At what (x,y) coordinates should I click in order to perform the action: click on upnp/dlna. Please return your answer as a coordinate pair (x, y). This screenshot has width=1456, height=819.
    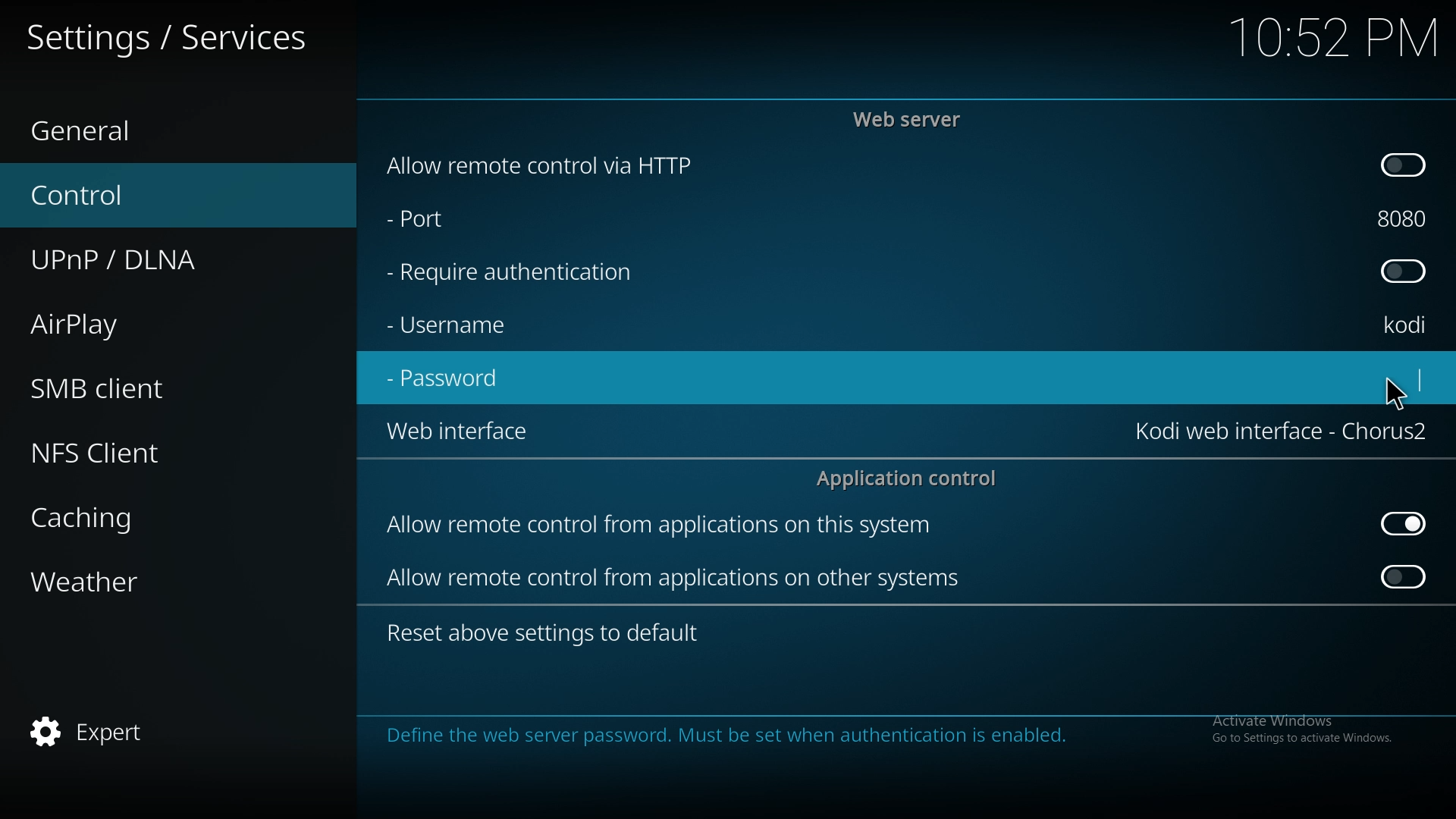
    Looking at the image, I should click on (162, 260).